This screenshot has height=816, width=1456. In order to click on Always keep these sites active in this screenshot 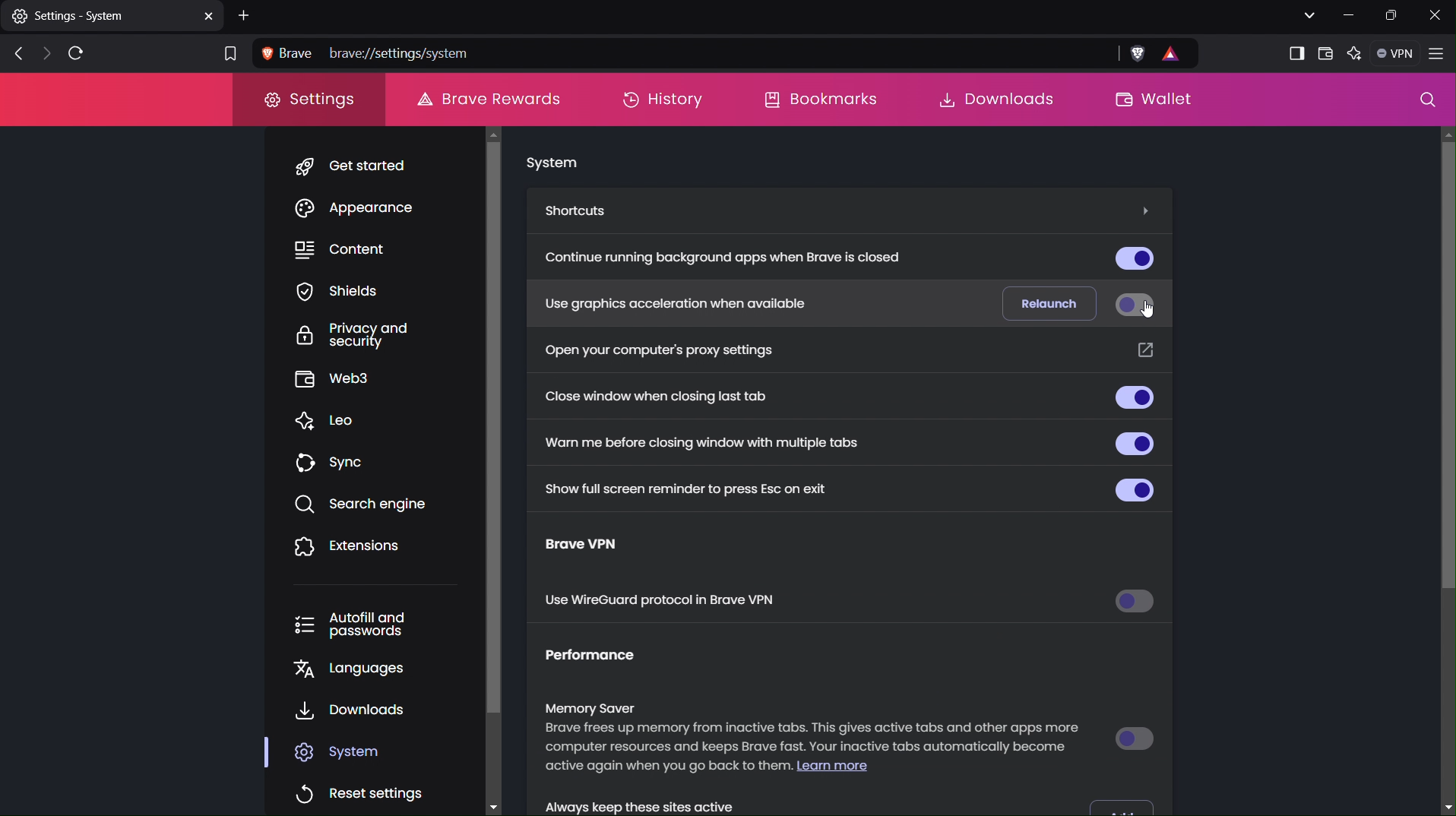, I will do `click(667, 803)`.